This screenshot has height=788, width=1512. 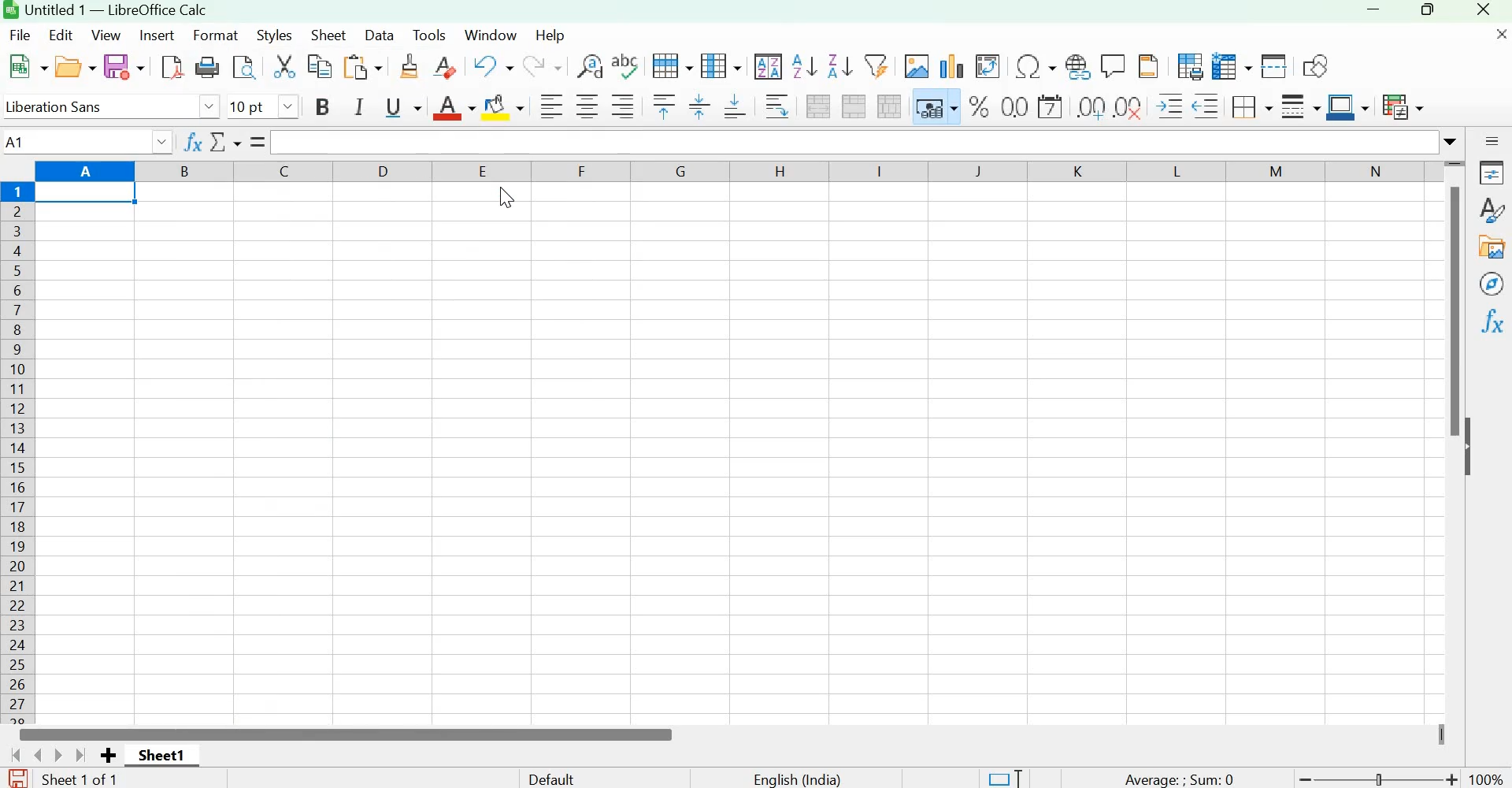 I want to click on Print, so click(x=212, y=69).